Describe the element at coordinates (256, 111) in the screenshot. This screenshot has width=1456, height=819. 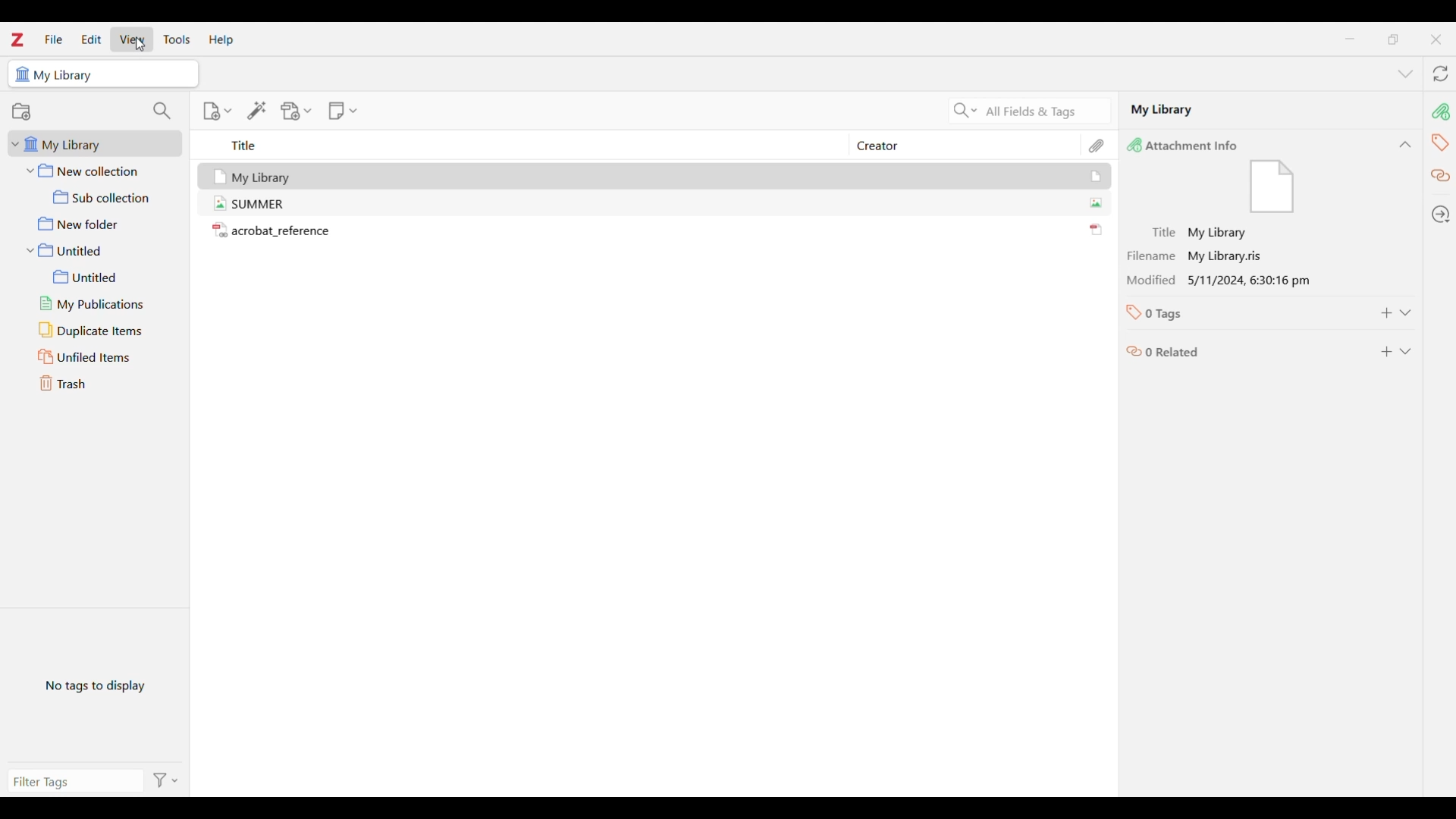
I see `Add item/s by identifier` at that location.